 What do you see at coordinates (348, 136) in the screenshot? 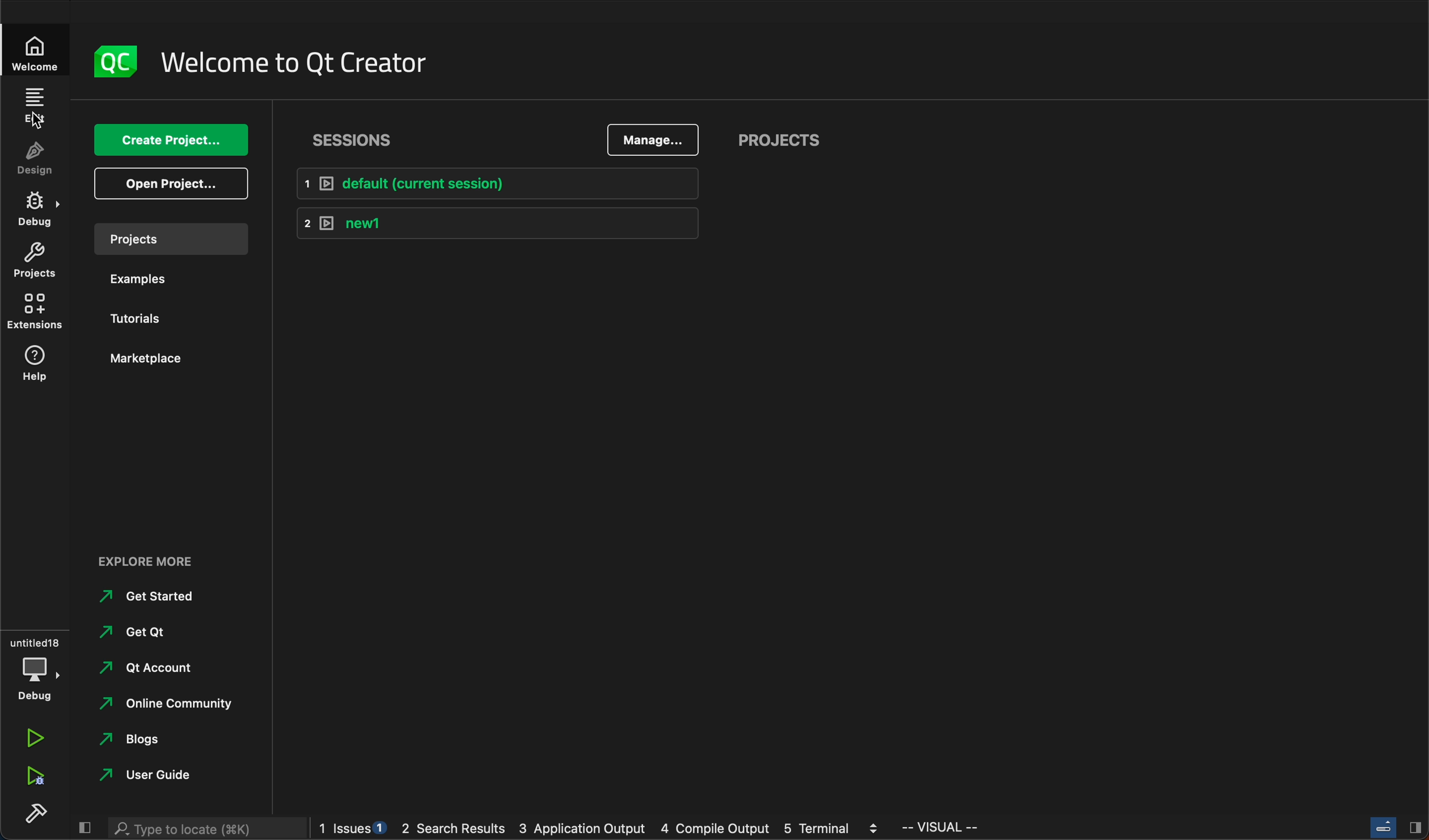
I see `sessions` at bounding box center [348, 136].